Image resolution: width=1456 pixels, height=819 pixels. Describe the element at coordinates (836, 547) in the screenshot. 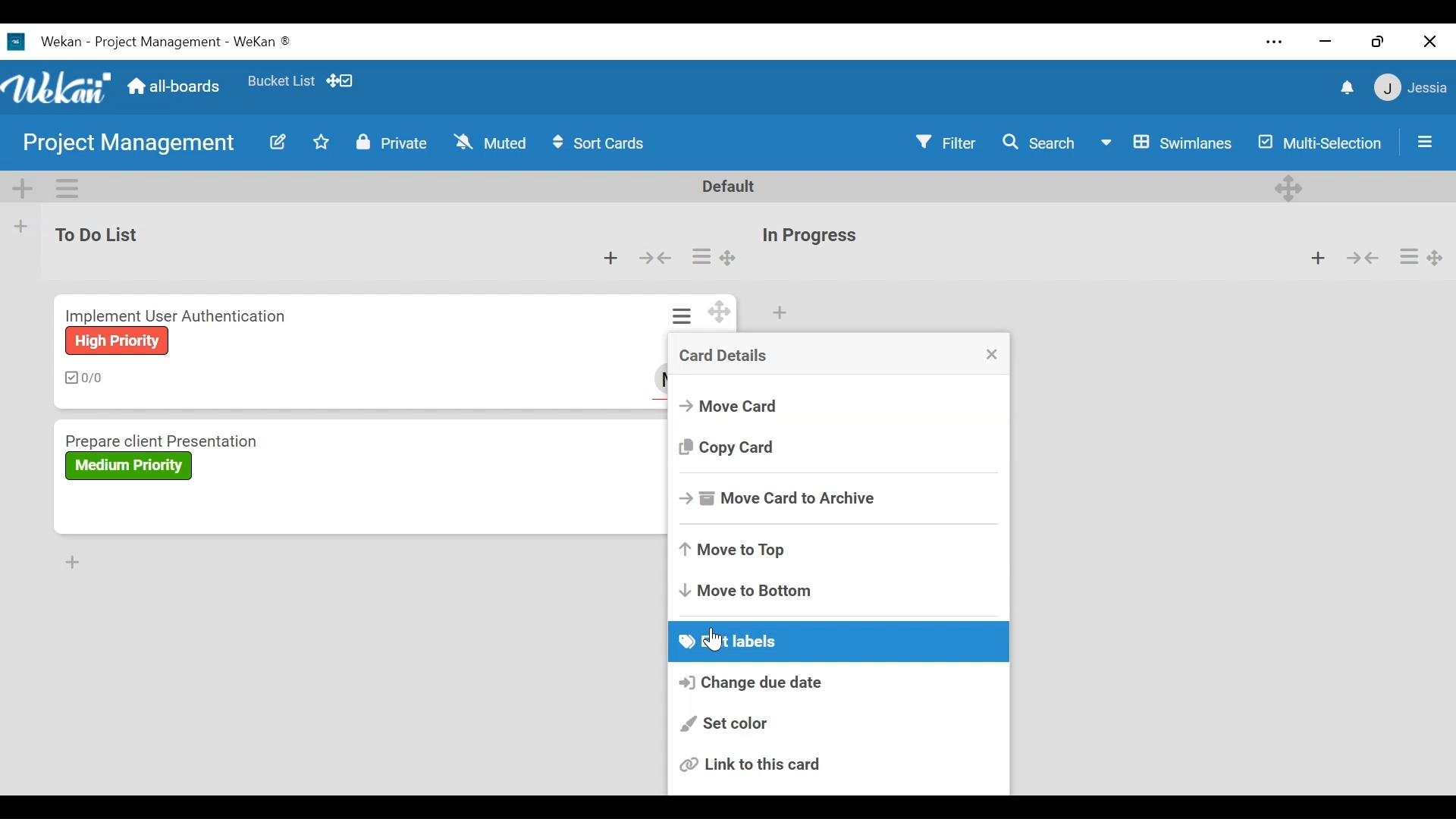

I see `Move to Top` at that location.